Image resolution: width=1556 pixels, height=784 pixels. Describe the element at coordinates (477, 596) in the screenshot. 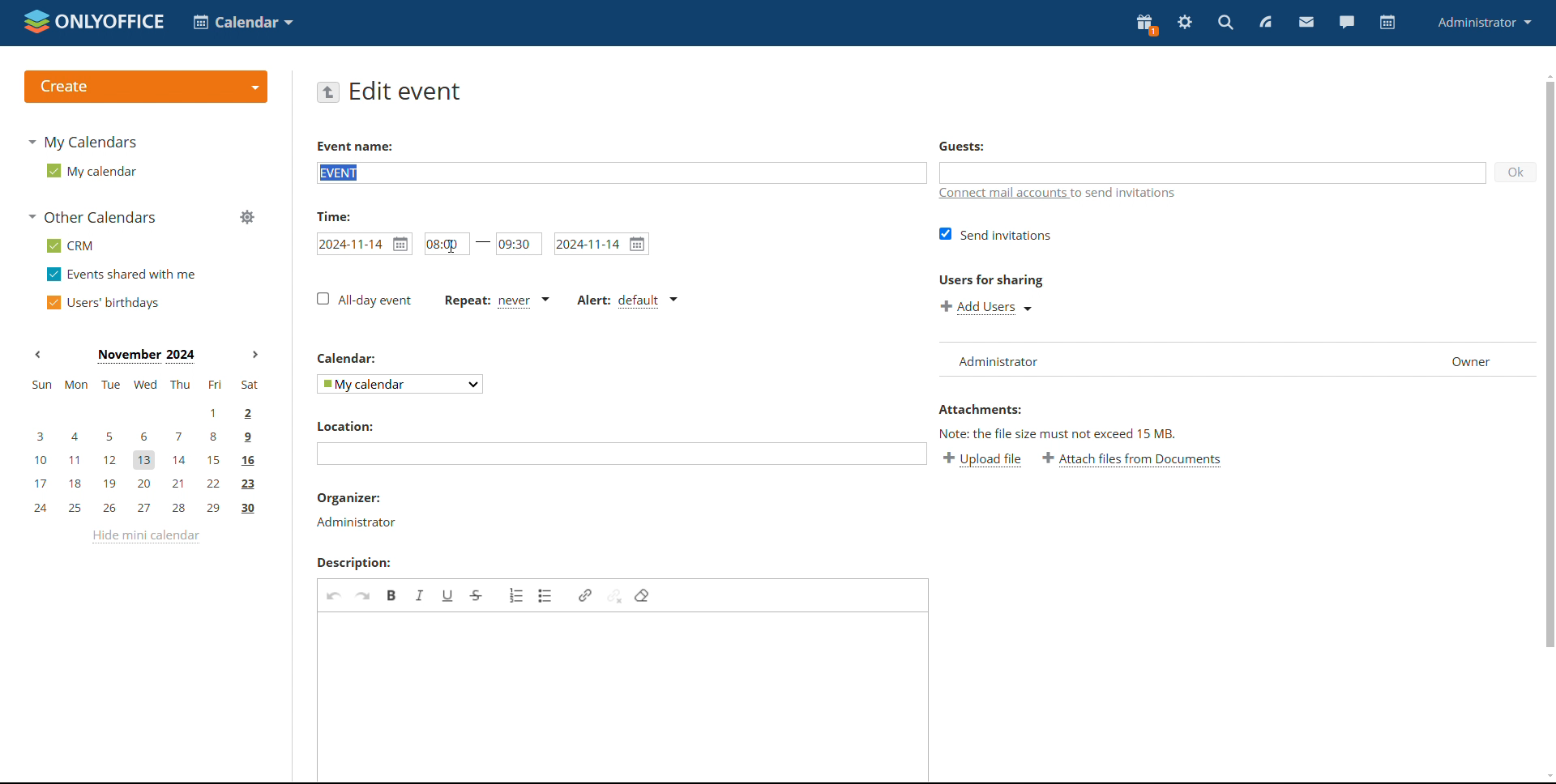

I see `strikethrough` at that location.